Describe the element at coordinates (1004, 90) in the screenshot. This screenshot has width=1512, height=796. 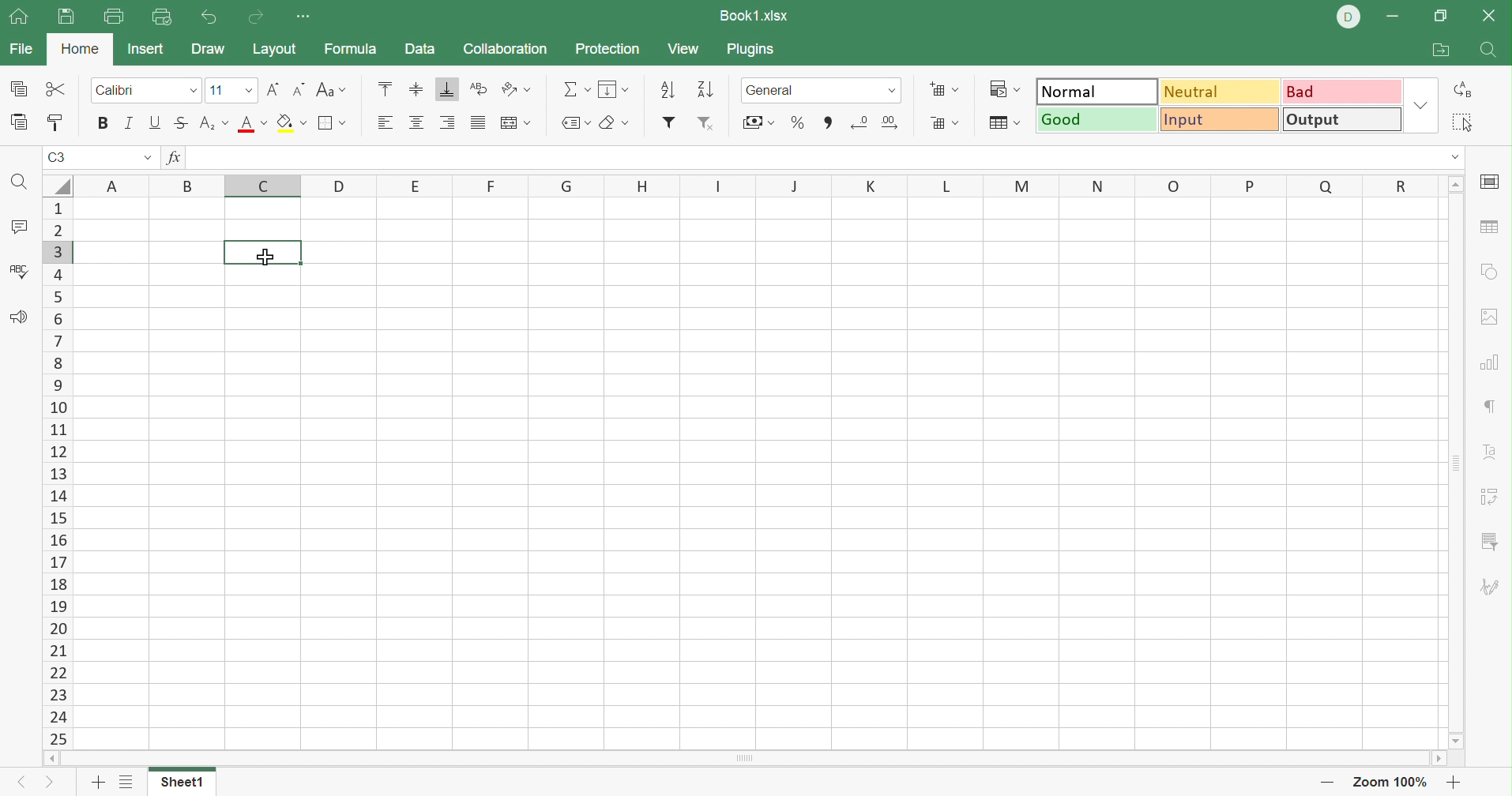
I see `Conditional formatting` at that location.